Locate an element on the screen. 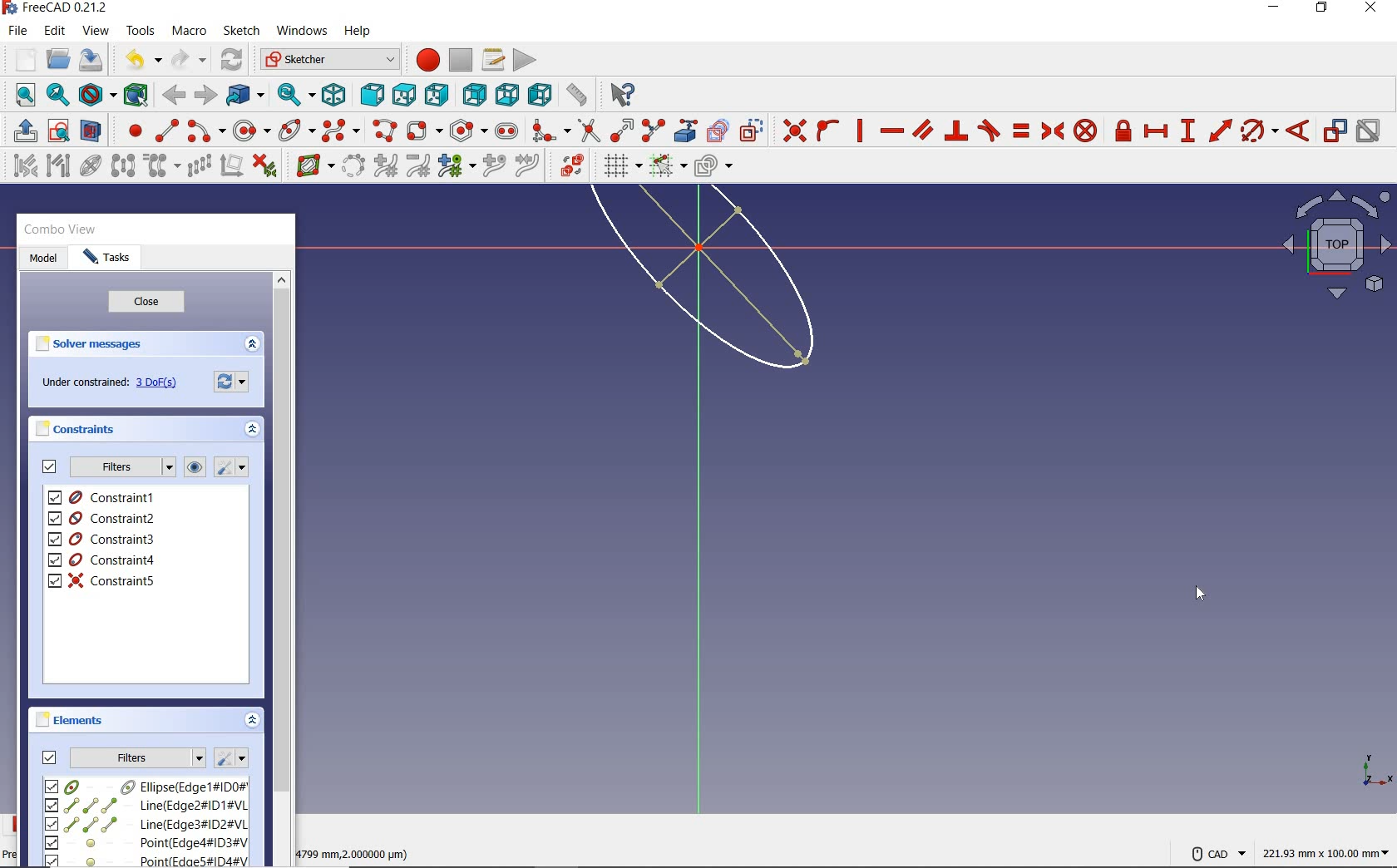 The image size is (1397, 868). sketch is located at coordinates (240, 31).